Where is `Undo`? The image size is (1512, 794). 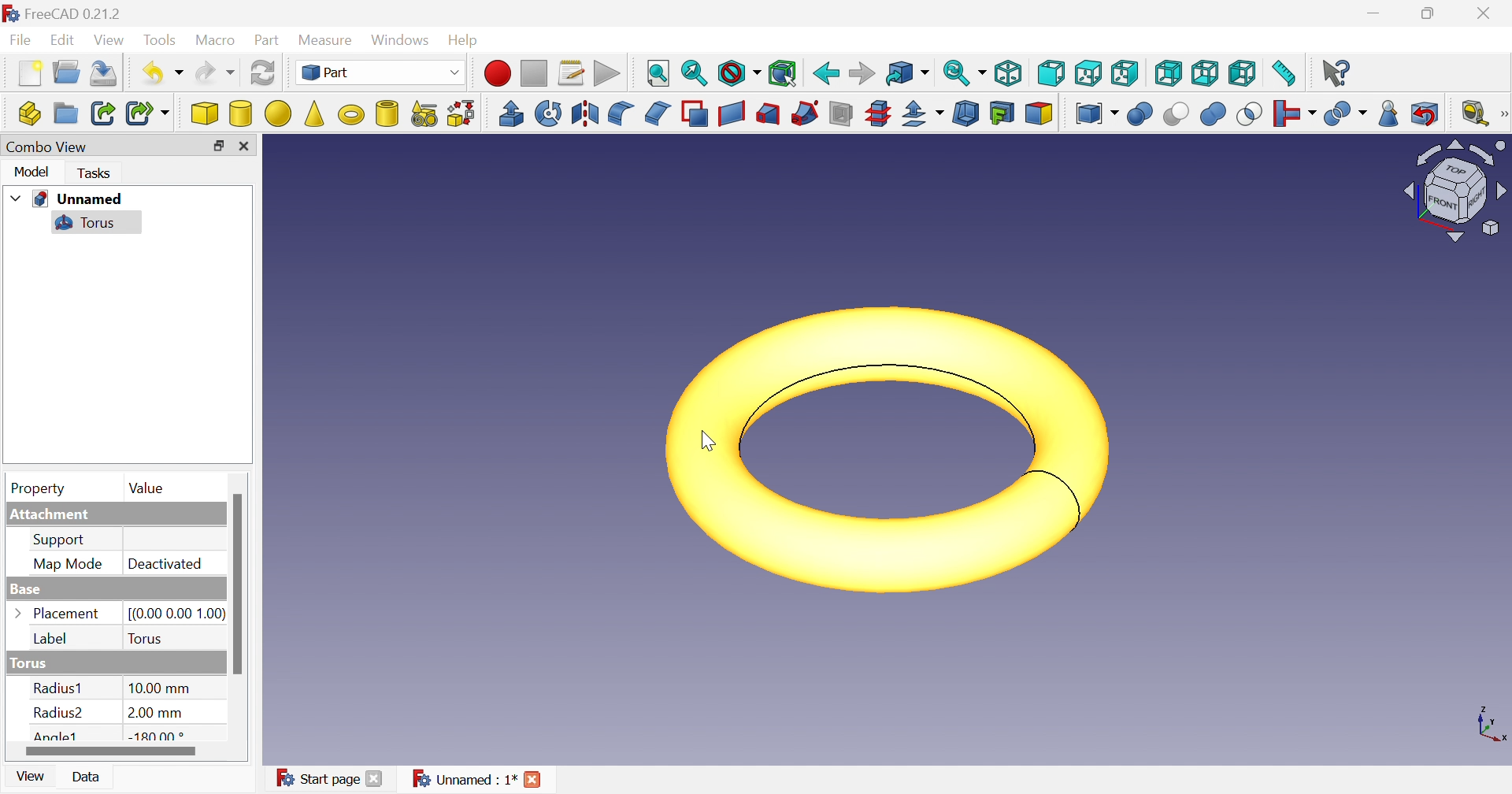 Undo is located at coordinates (164, 73).